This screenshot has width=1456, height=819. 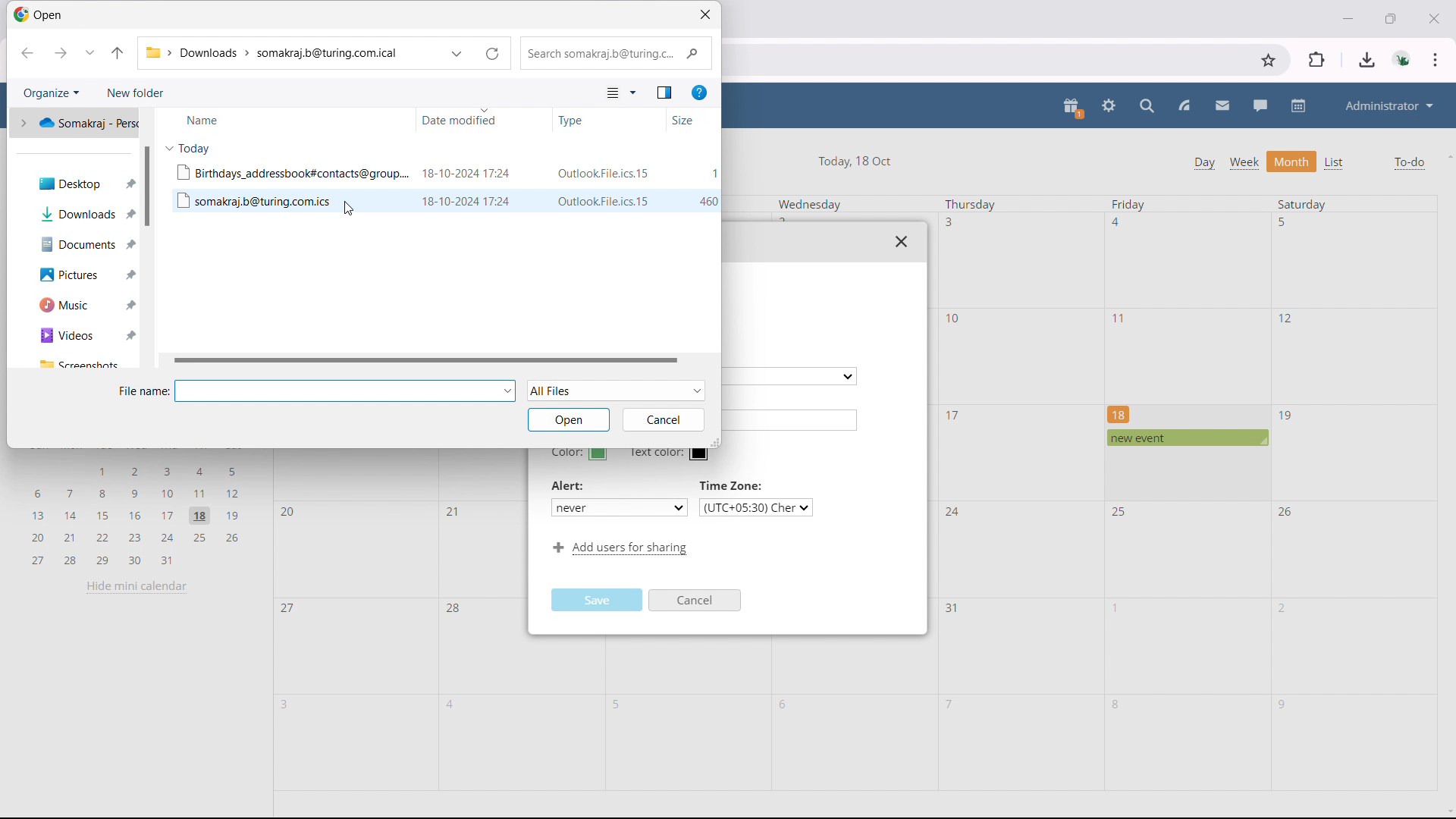 What do you see at coordinates (1119, 222) in the screenshot?
I see `4` at bounding box center [1119, 222].